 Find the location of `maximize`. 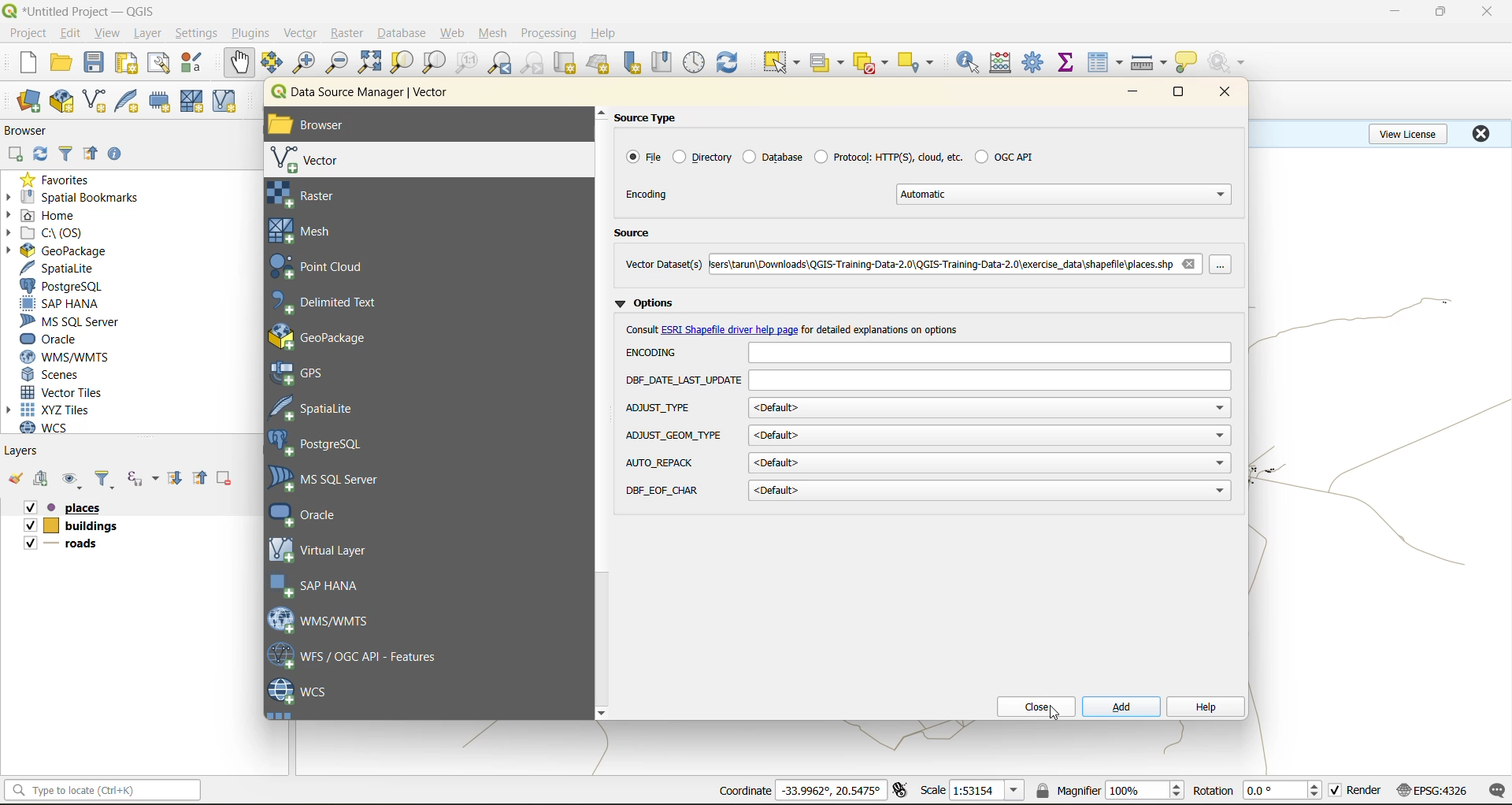

maximize is located at coordinates (1180, 95).